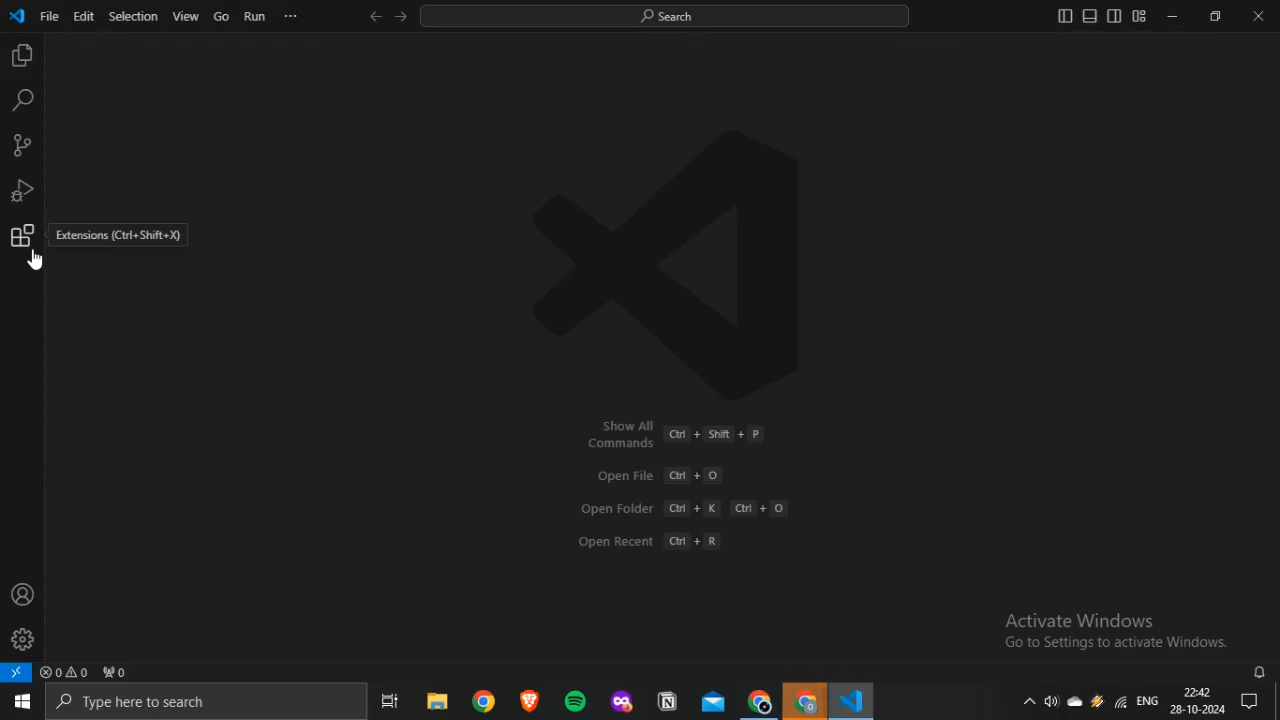 Image resolution: width=1280 pixels, height=720 pixels. What do you see at coordinates (622, 700) in the screenshot?
I see `mozilla firefox` at bounding box center [622, 700].